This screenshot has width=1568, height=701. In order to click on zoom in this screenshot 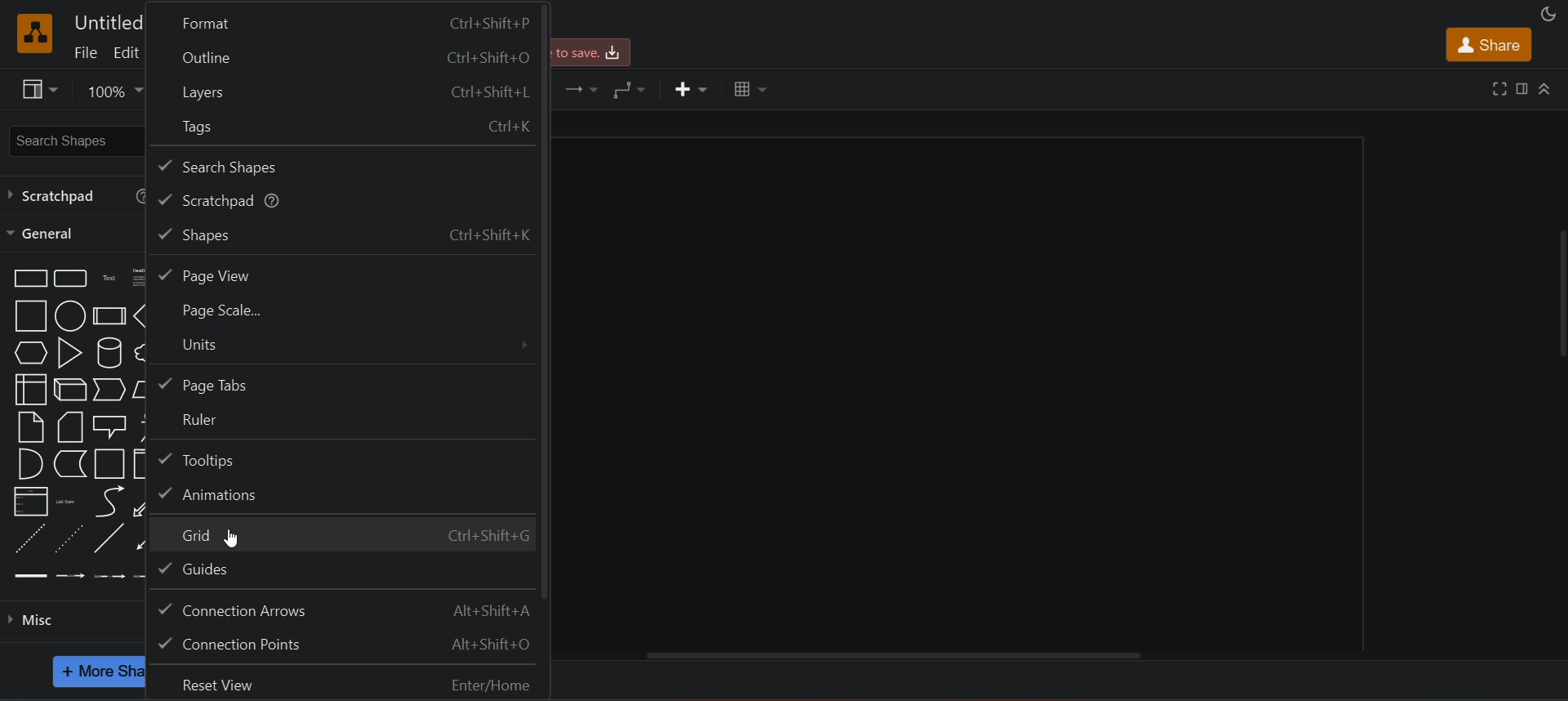, I will do `click(113, 90)`.